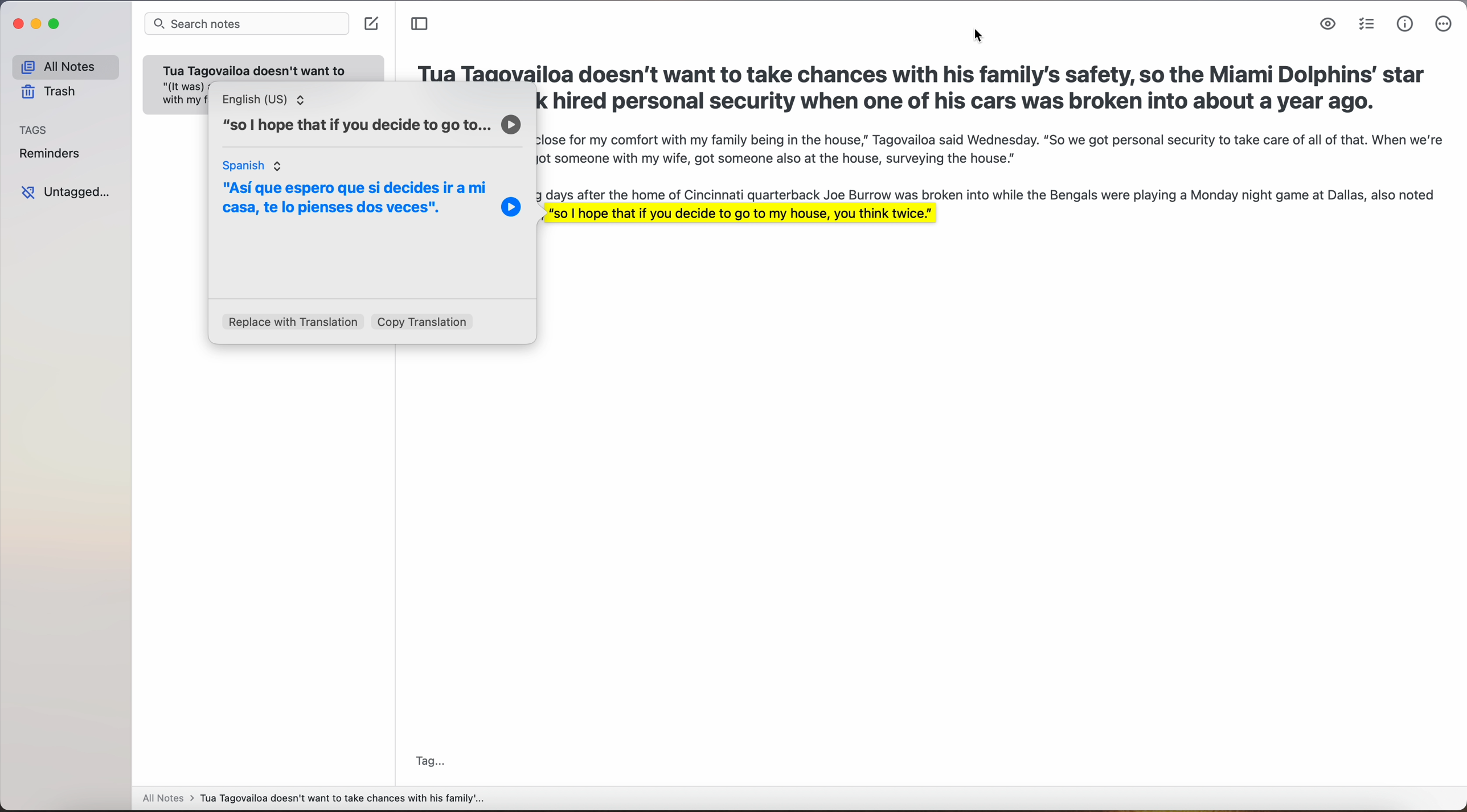 The image size is (1467, 812). Describe the element at coordinates (373, 26) in the screenshot. I see `create note` at that location.